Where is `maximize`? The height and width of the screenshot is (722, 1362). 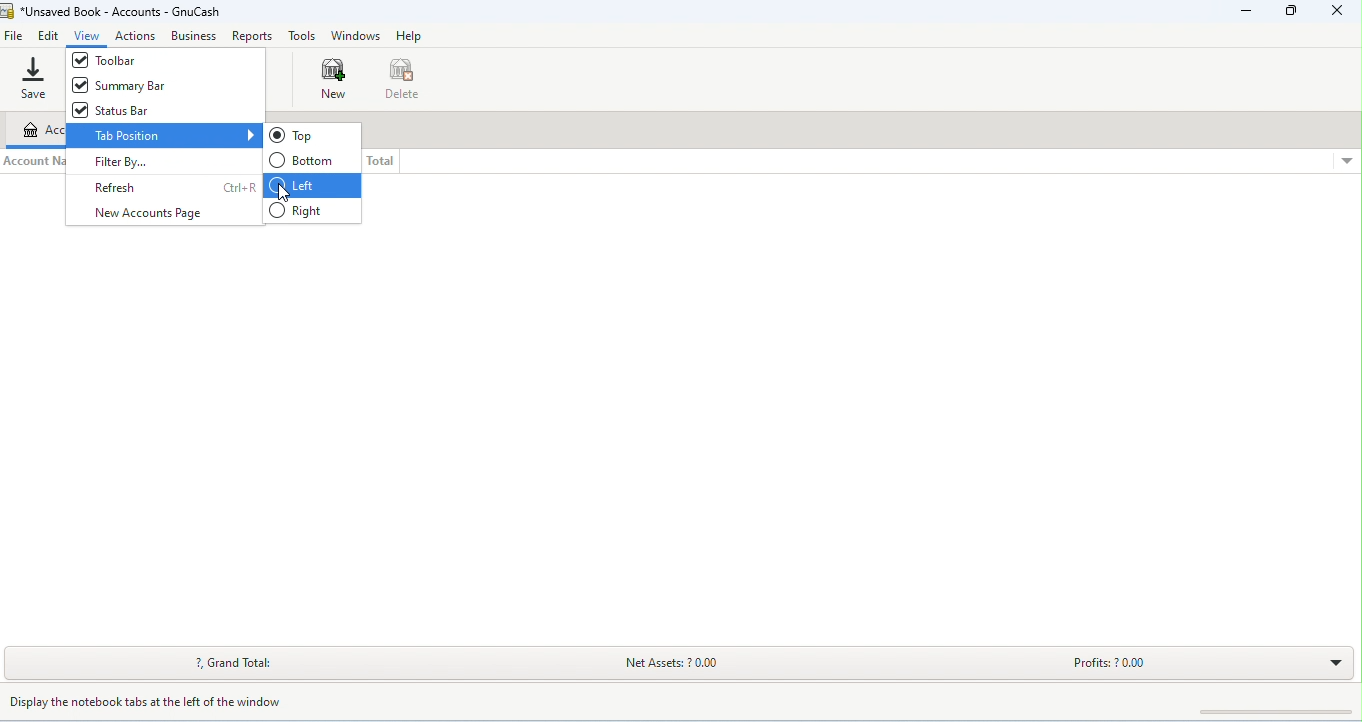 maximize is located at coordinates (1288, 10).